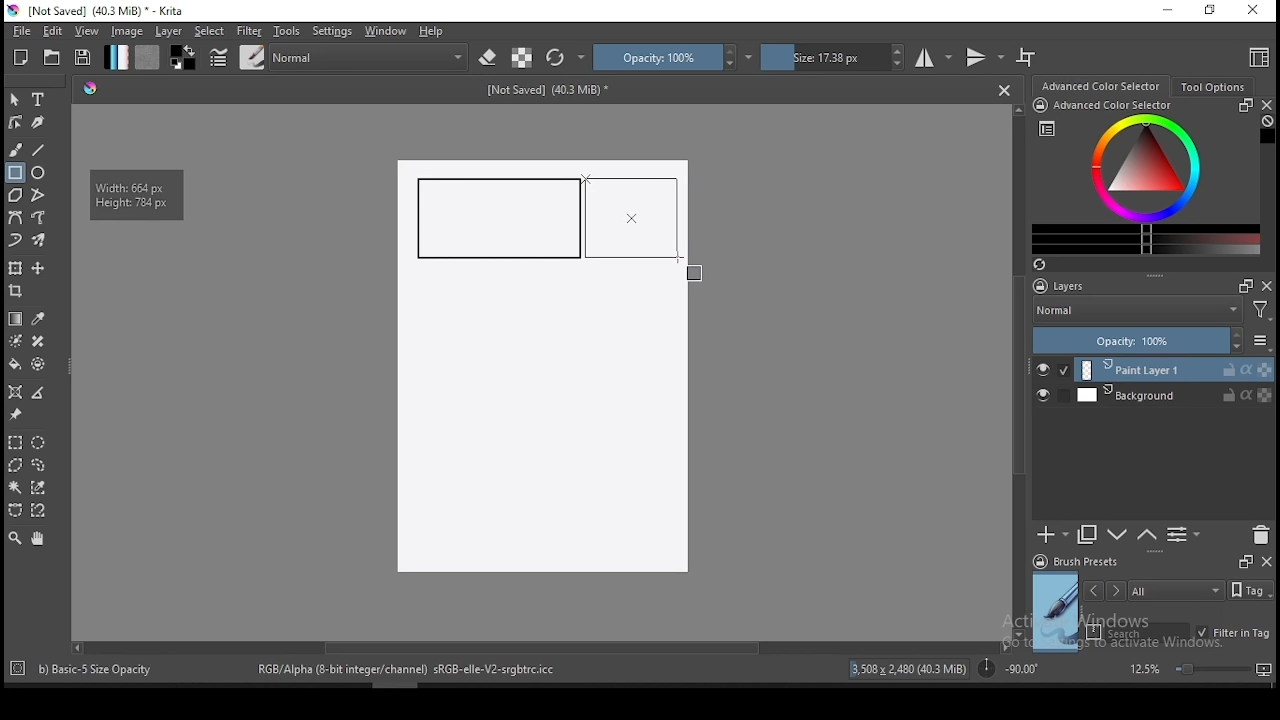  What do you see at coordinates (522, 59) in the screenshot?
I see `preserve alpha` at bounding box center [522, 59].